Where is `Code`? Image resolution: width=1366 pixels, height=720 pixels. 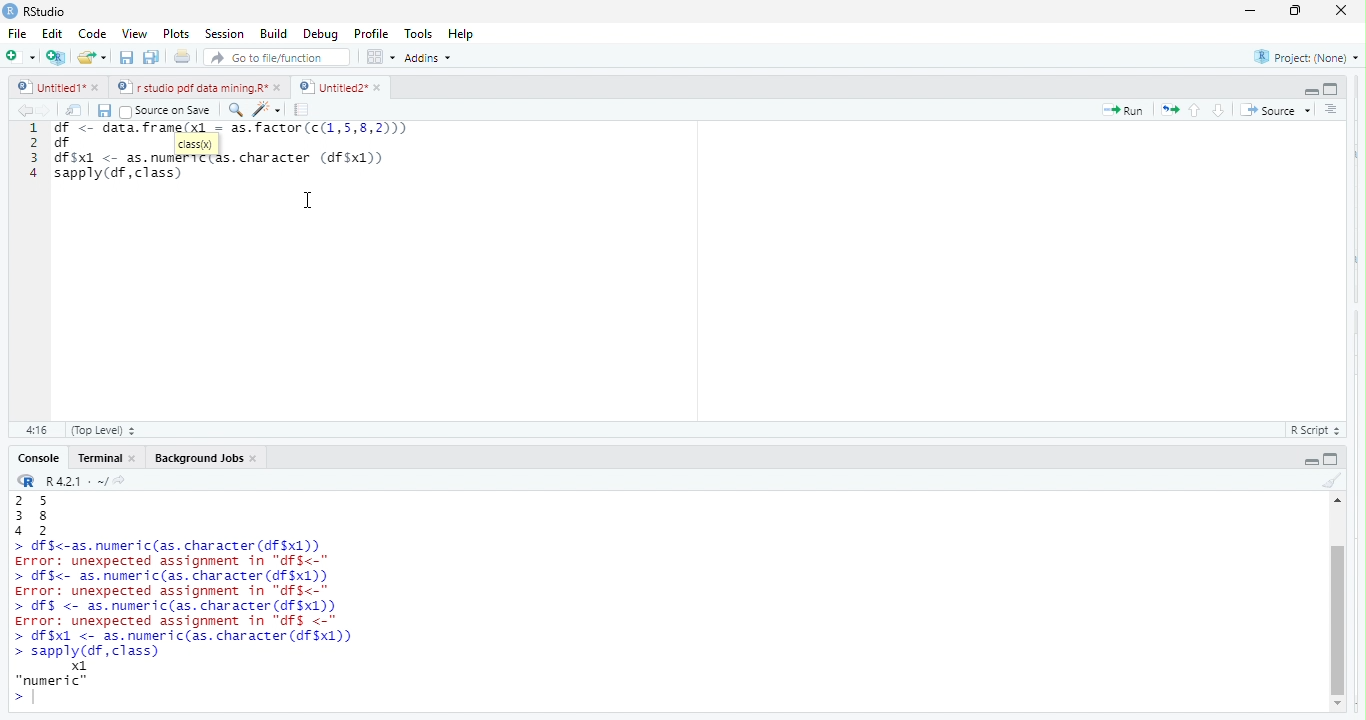 Code is located at coordinates (93, 33).